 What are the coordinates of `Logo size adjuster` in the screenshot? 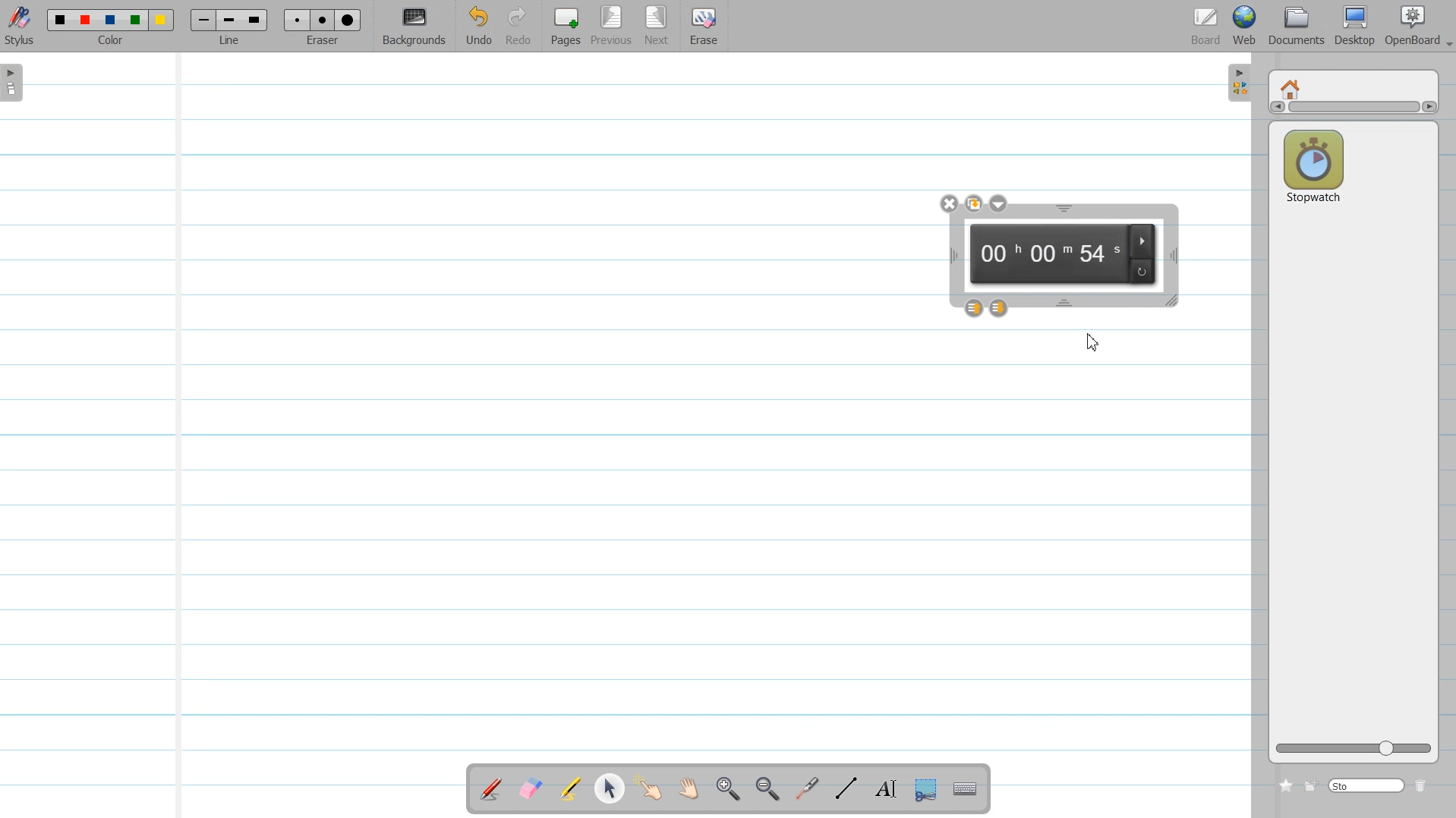 It's located at (1354, 749).